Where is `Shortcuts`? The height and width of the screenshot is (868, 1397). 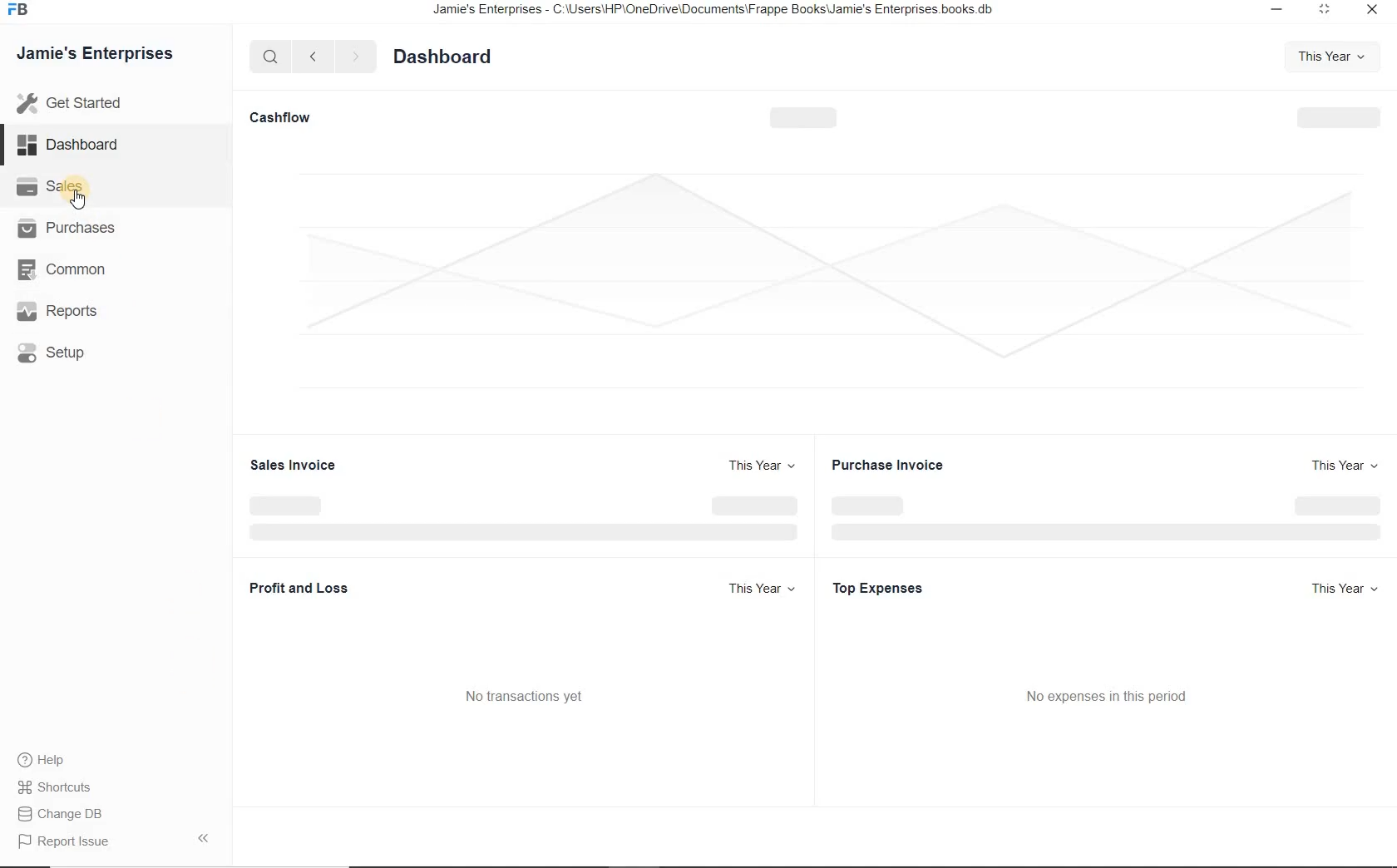 Shortcuts is located at coordinates (62, 787).